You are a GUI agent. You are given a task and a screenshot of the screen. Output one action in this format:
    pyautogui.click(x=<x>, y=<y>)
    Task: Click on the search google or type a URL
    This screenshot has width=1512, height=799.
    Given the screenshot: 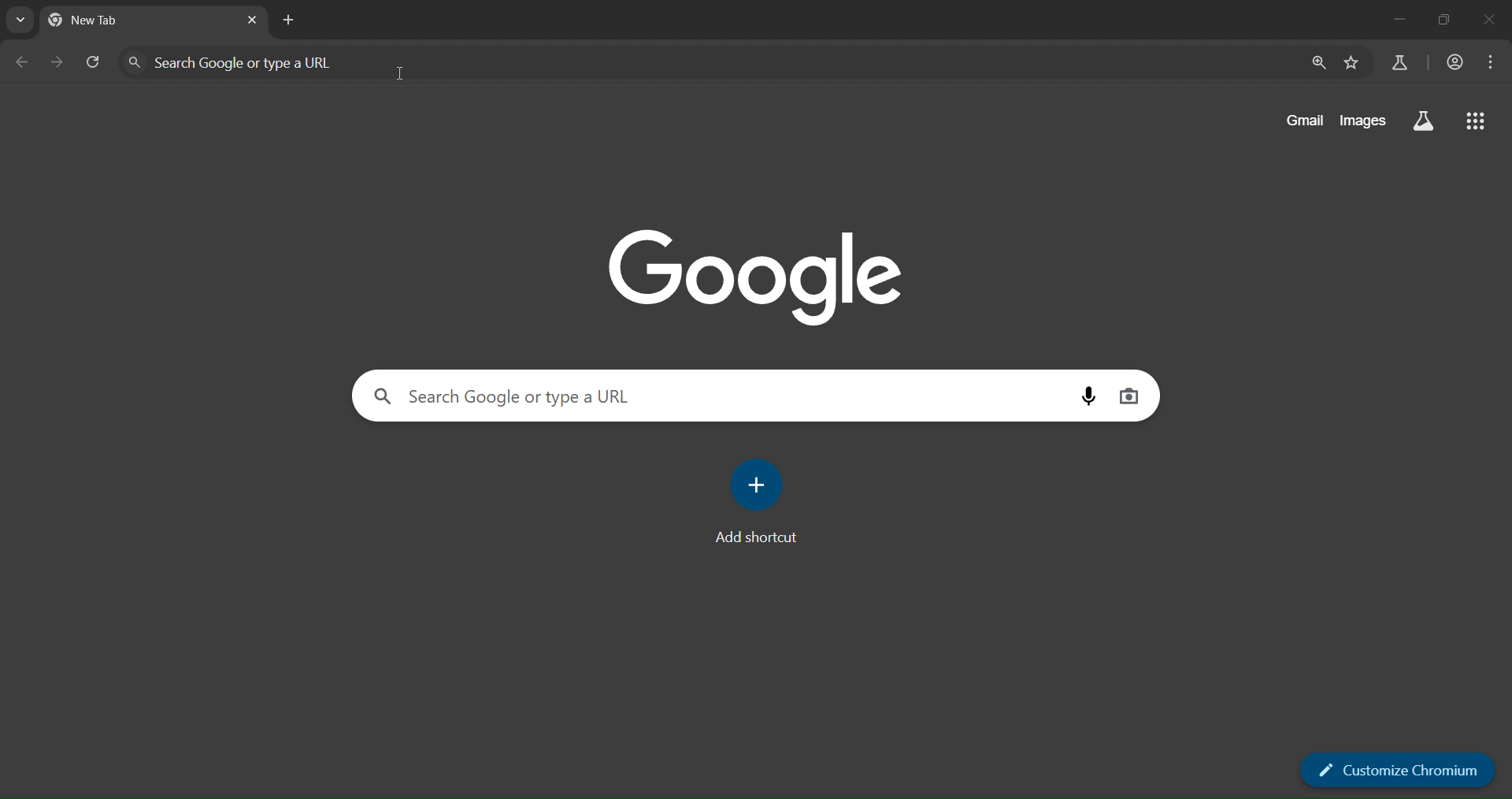 What is the action you would take?
    pyautogui.click(x=722, y=394)
    